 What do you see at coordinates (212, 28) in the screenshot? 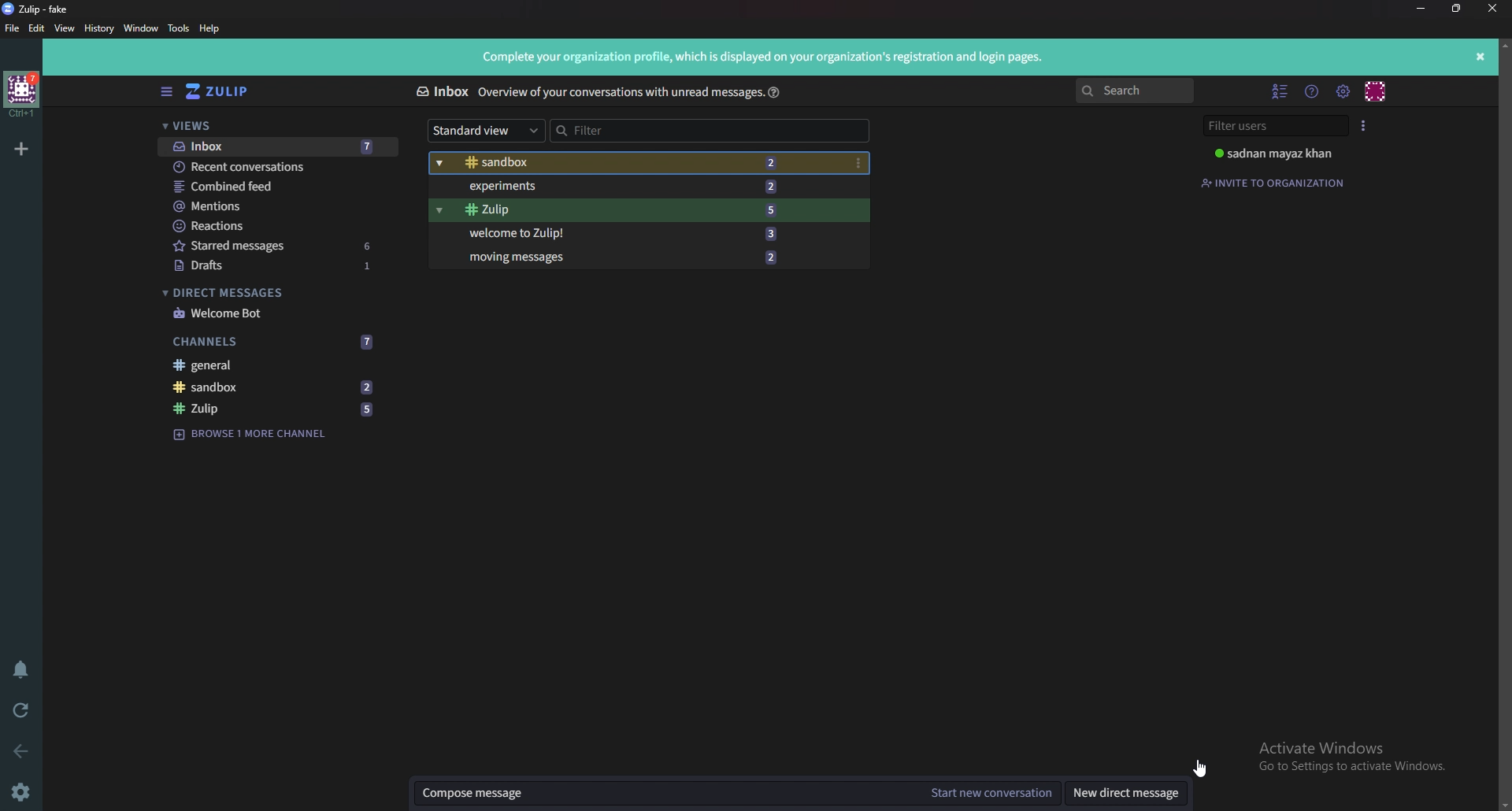
I see `Help` at bounding box center [212, 28].